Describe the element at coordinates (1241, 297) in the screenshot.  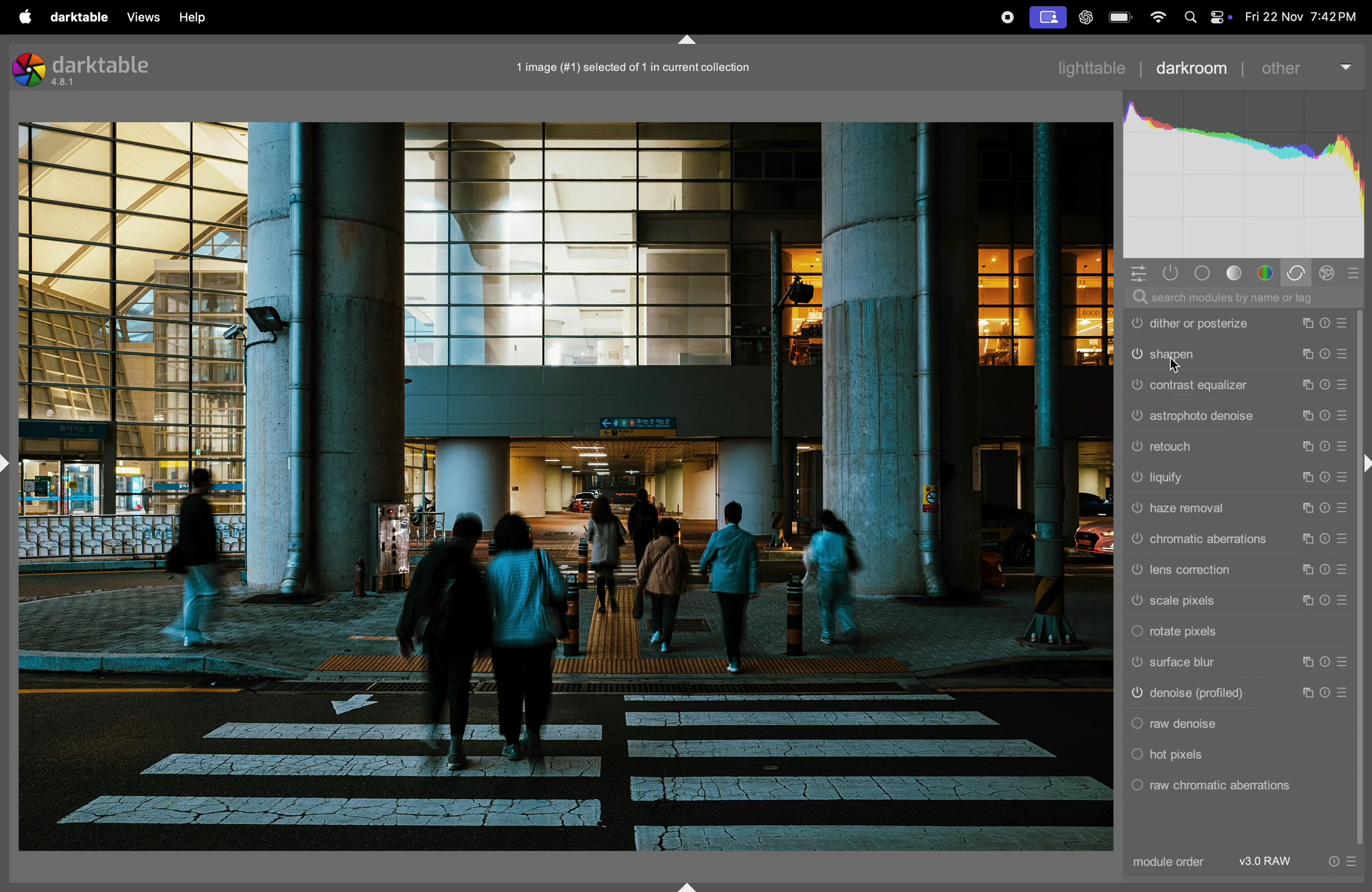
I see `search bar` at that location.